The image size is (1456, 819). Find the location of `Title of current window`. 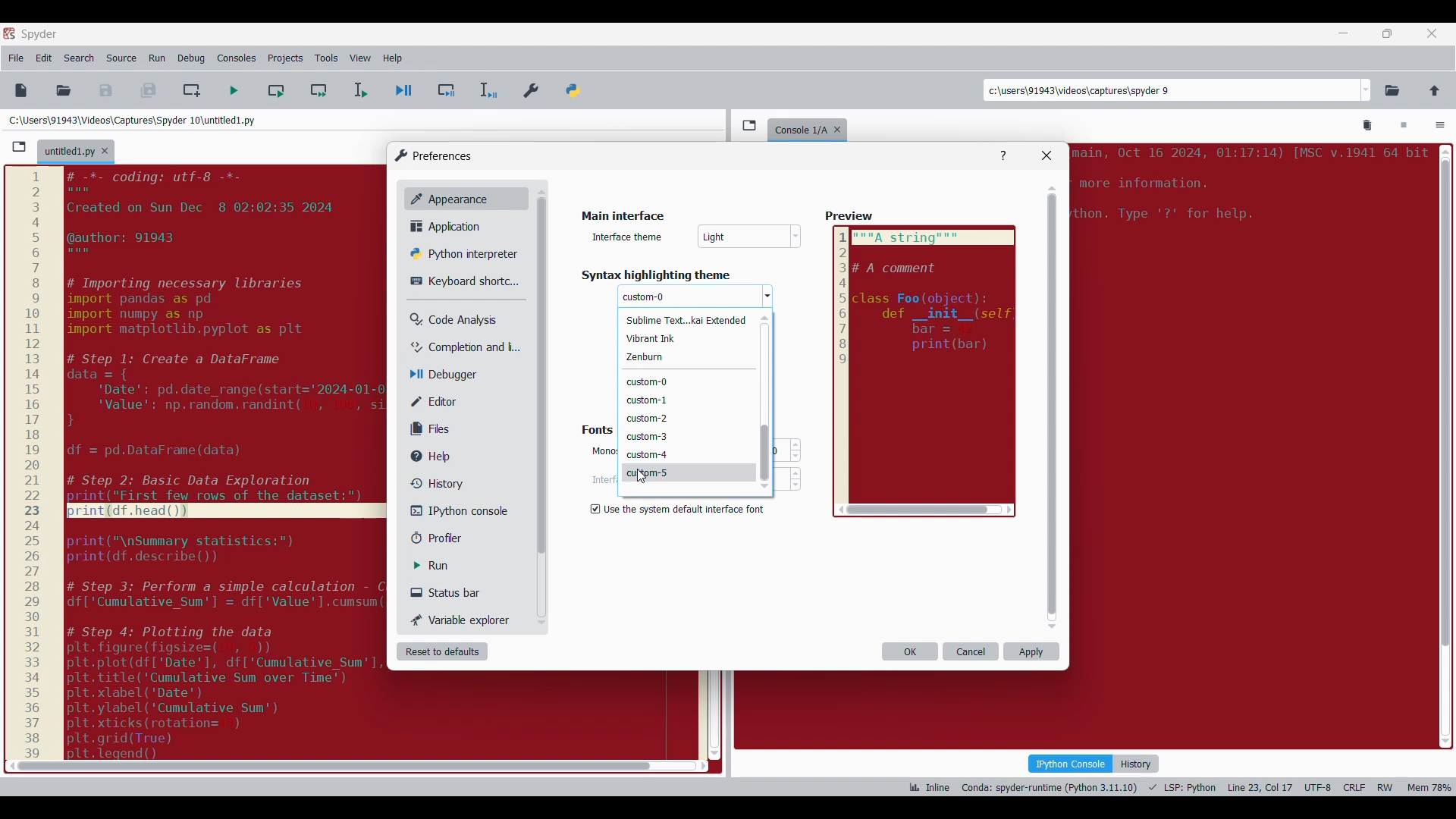

Title of current window is located at coordinates (621, 217).